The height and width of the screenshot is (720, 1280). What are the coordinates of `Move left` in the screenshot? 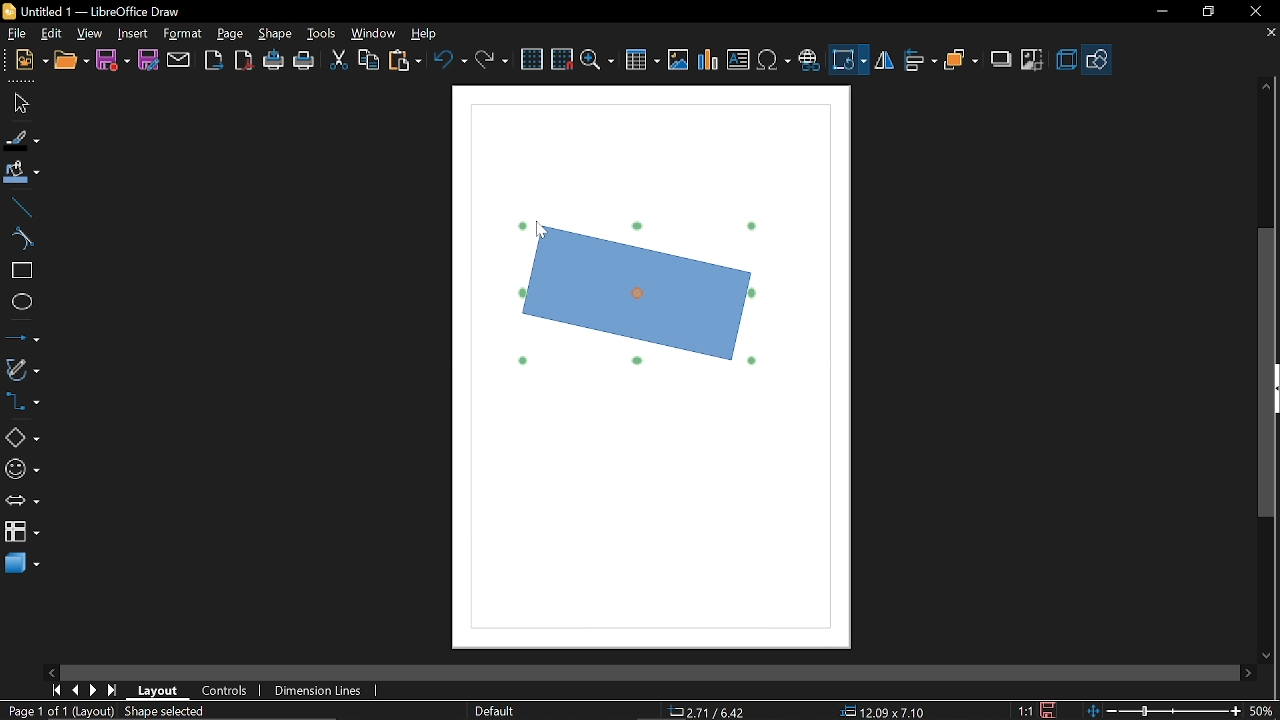 It's located at (51, 672).